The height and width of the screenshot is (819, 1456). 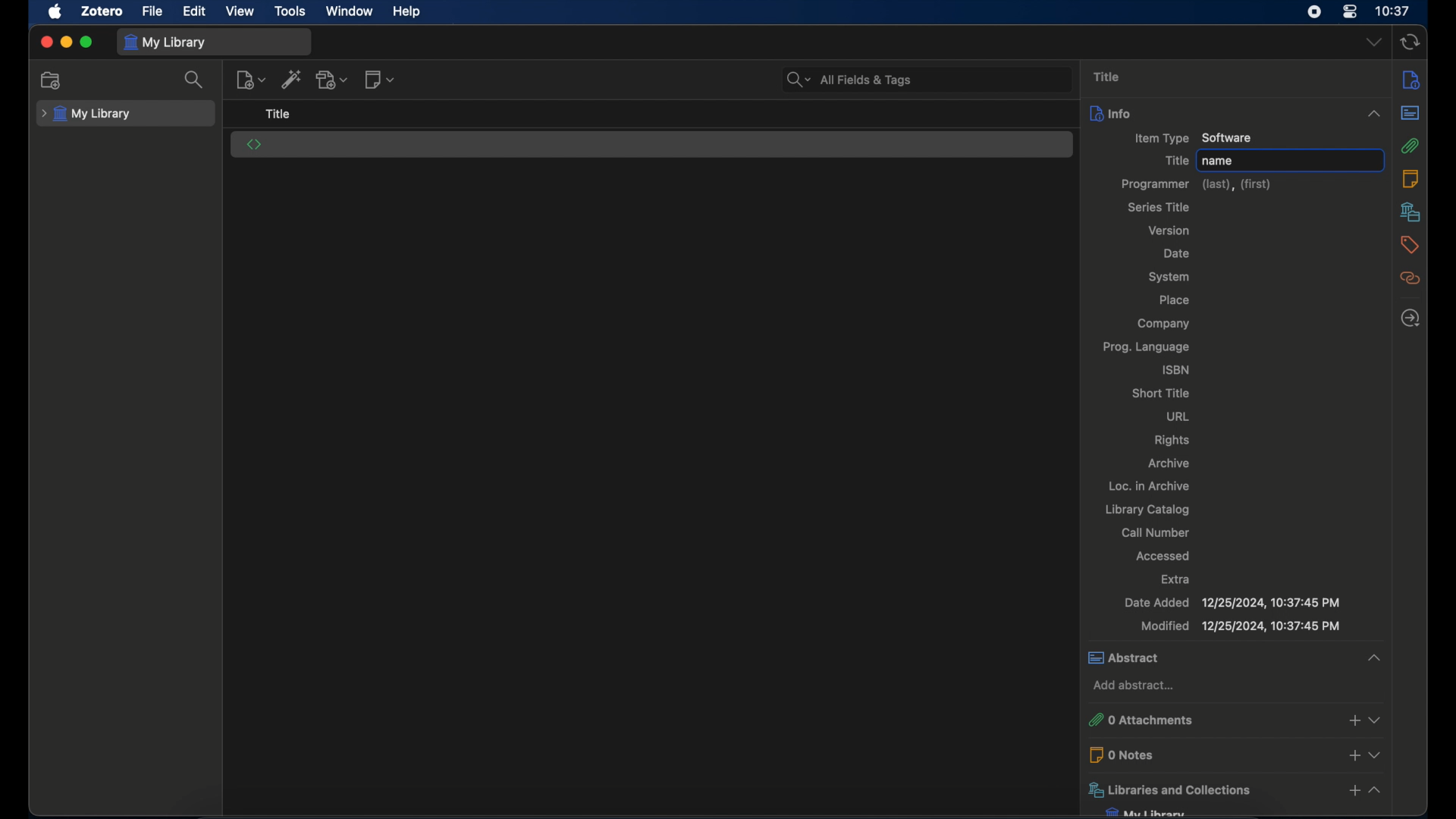 What do you see at coordinates (1210, 789) in the screenshot?
I see `libraries and collections` at bounding box center [1210, 789].